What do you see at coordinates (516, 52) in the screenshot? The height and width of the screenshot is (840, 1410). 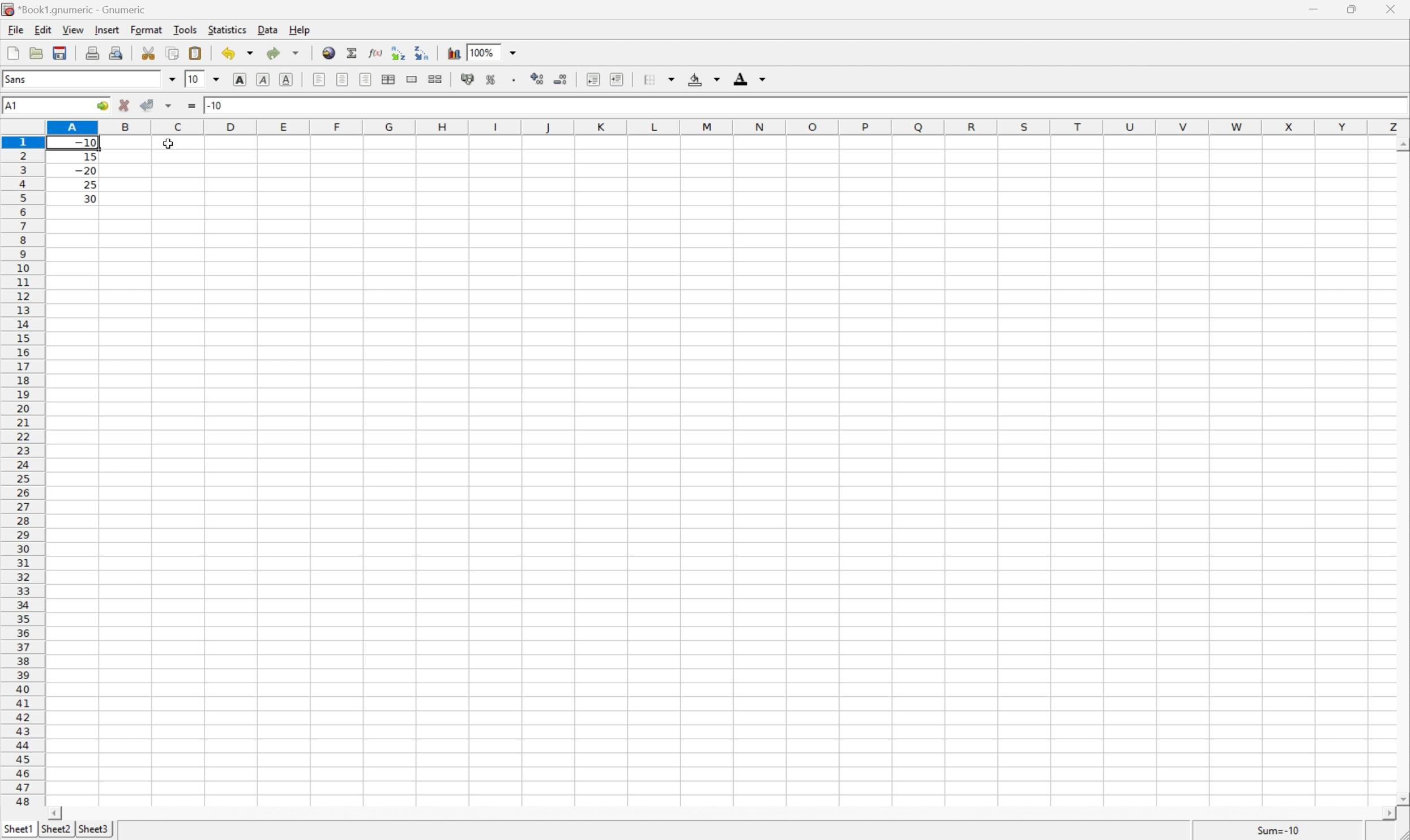 I see `Drop Down` at bounding box center [516, 52].